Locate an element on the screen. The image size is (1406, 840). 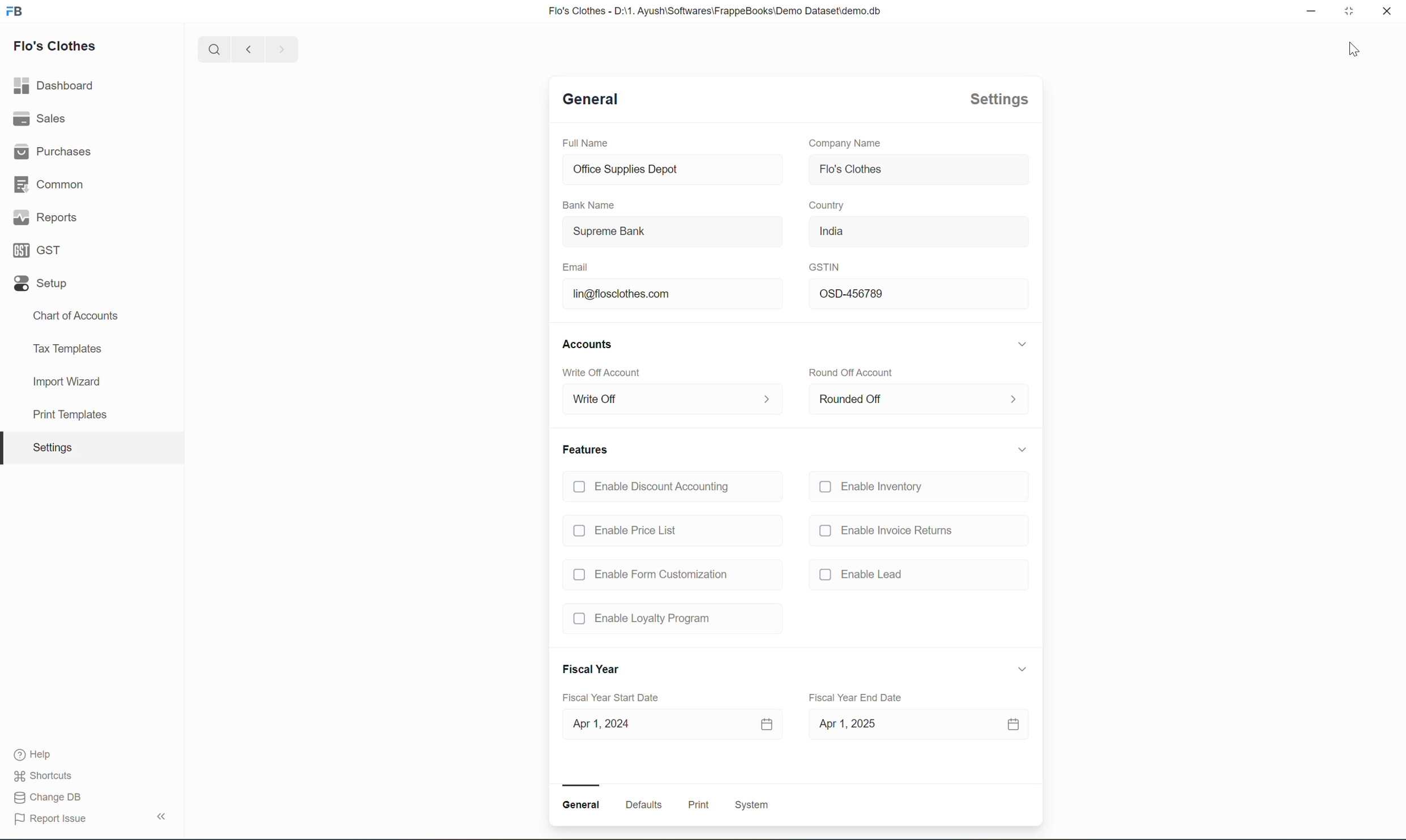
Supreme Bank is located at coordinates (673, 232).